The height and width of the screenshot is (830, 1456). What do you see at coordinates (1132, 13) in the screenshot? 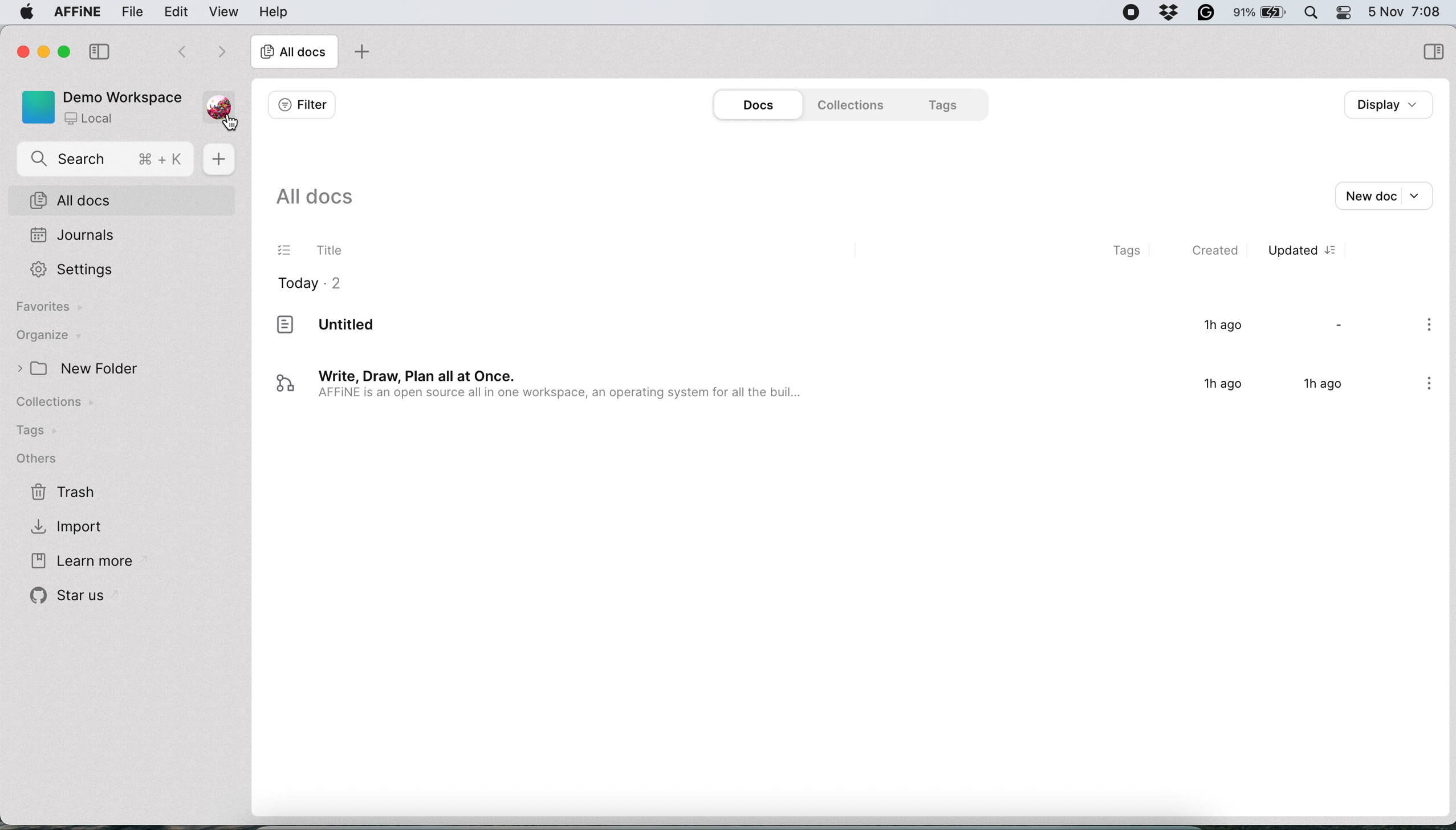
I see `screen recorder` at bounding box center [1132, 13].